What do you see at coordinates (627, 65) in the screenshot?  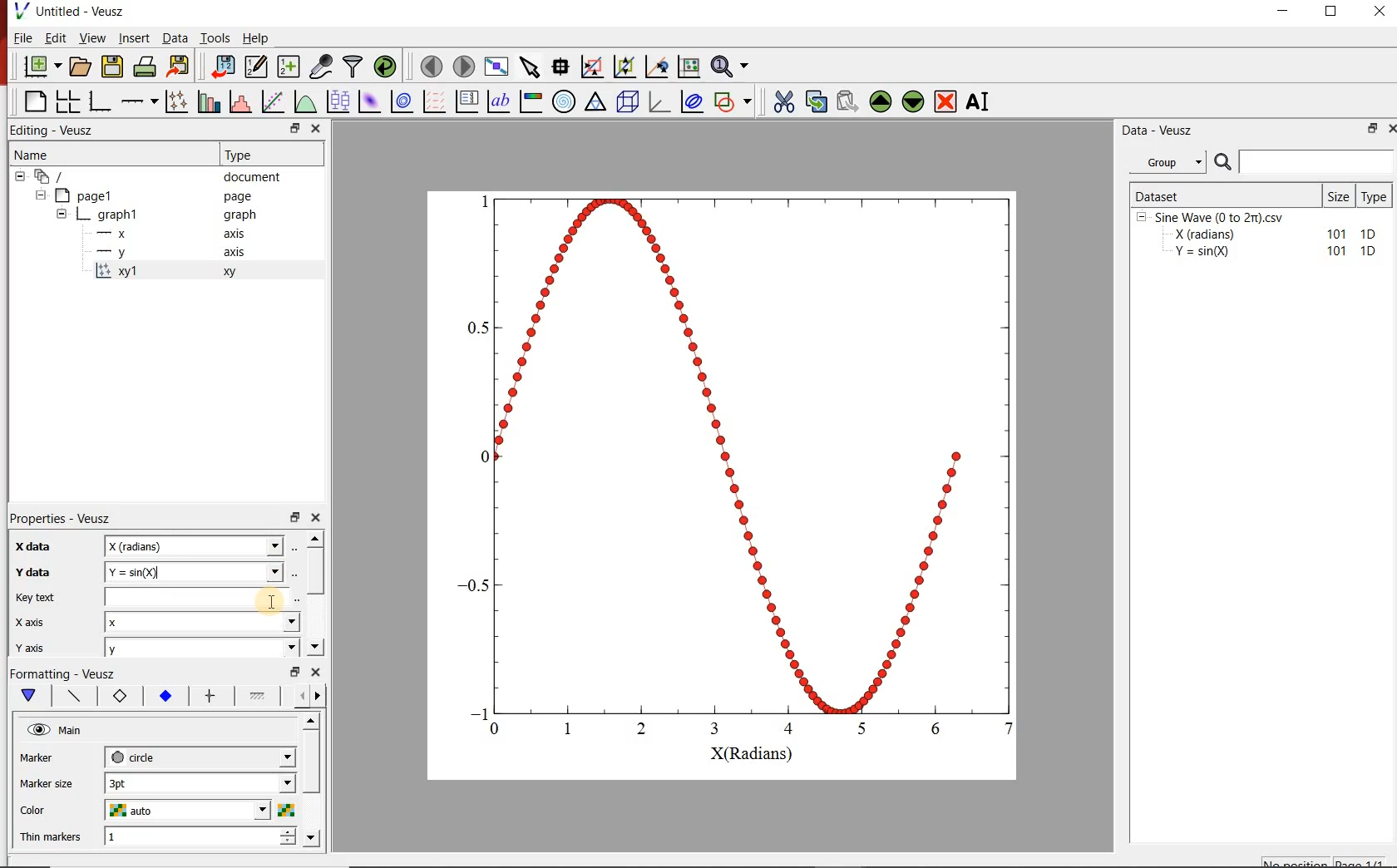 I see `click to zoom out` at bounding box center [627, 65].